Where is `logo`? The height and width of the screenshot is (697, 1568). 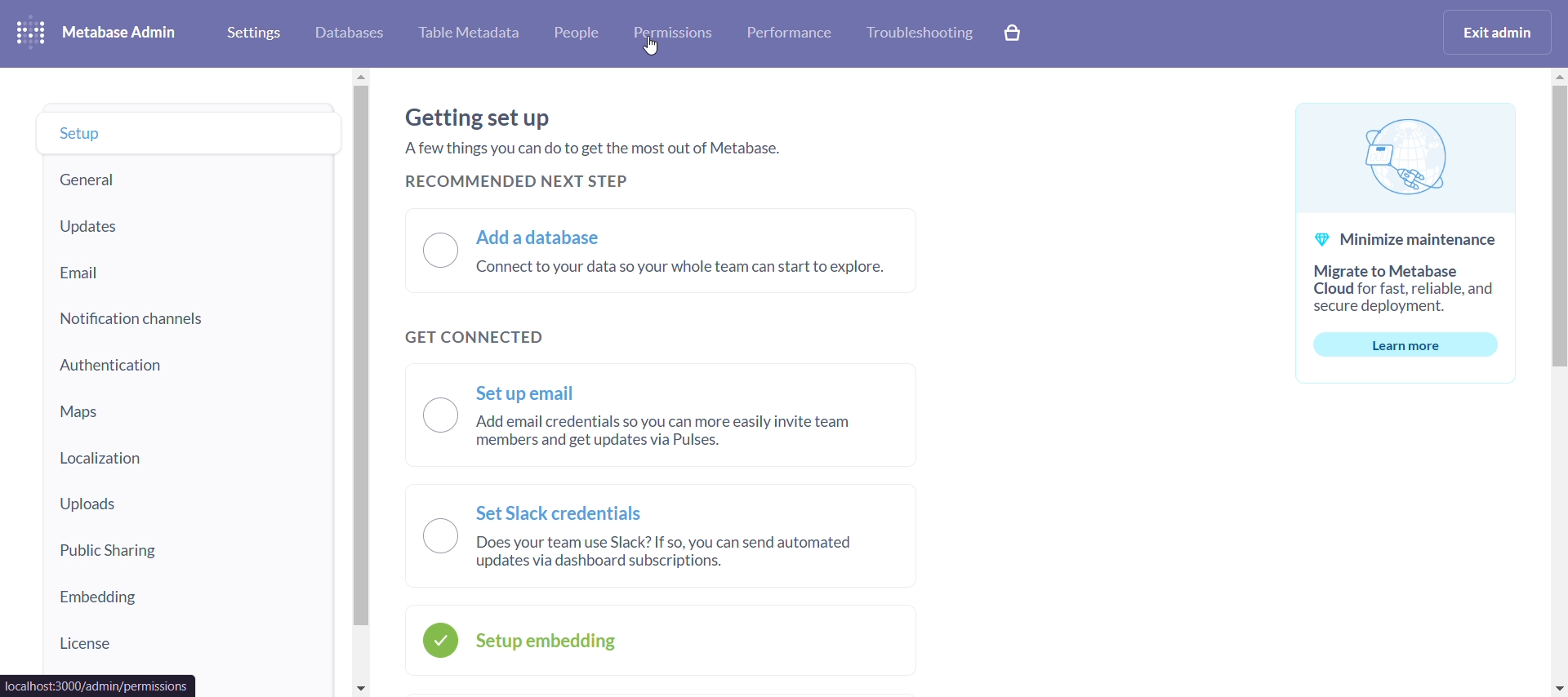
logo is located at coordinates (29, 36).